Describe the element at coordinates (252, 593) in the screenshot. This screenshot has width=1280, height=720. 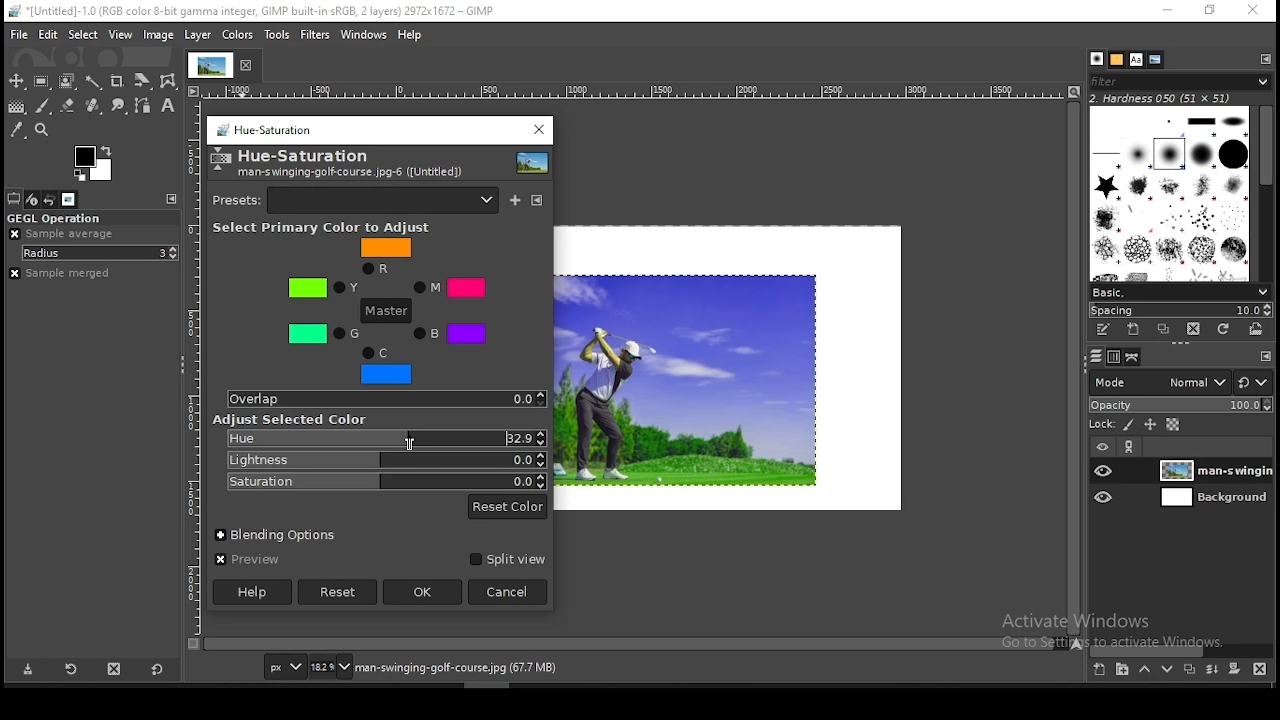
I see `help` at that location.